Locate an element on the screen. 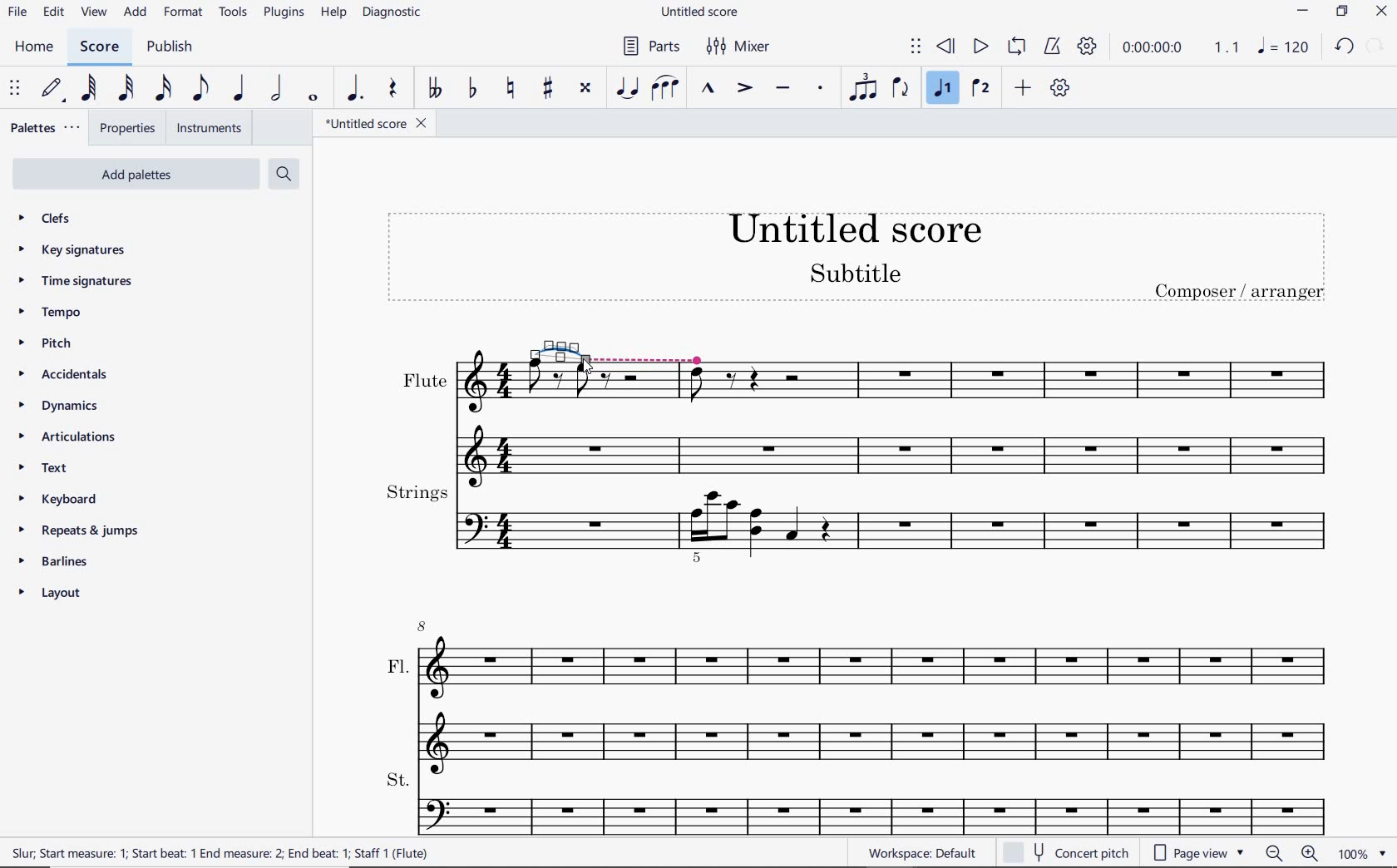  SELECT TO MOVE is located at coordinates (13, 86).